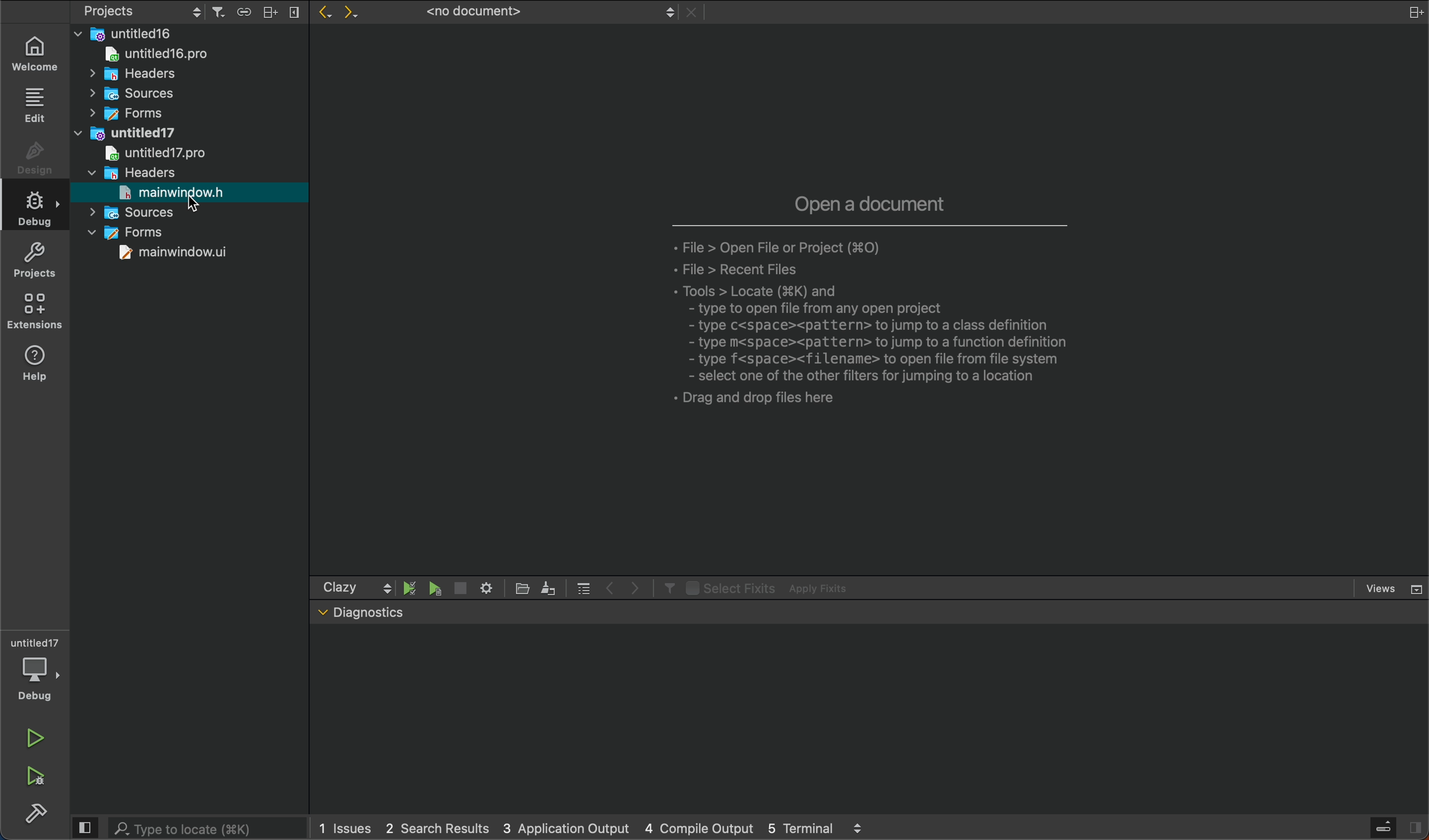 The height and width of the screenshot is (840, 1429). Describe the element at coordinates (340, 587) in the screenshot. I see `Clazy` at that location.